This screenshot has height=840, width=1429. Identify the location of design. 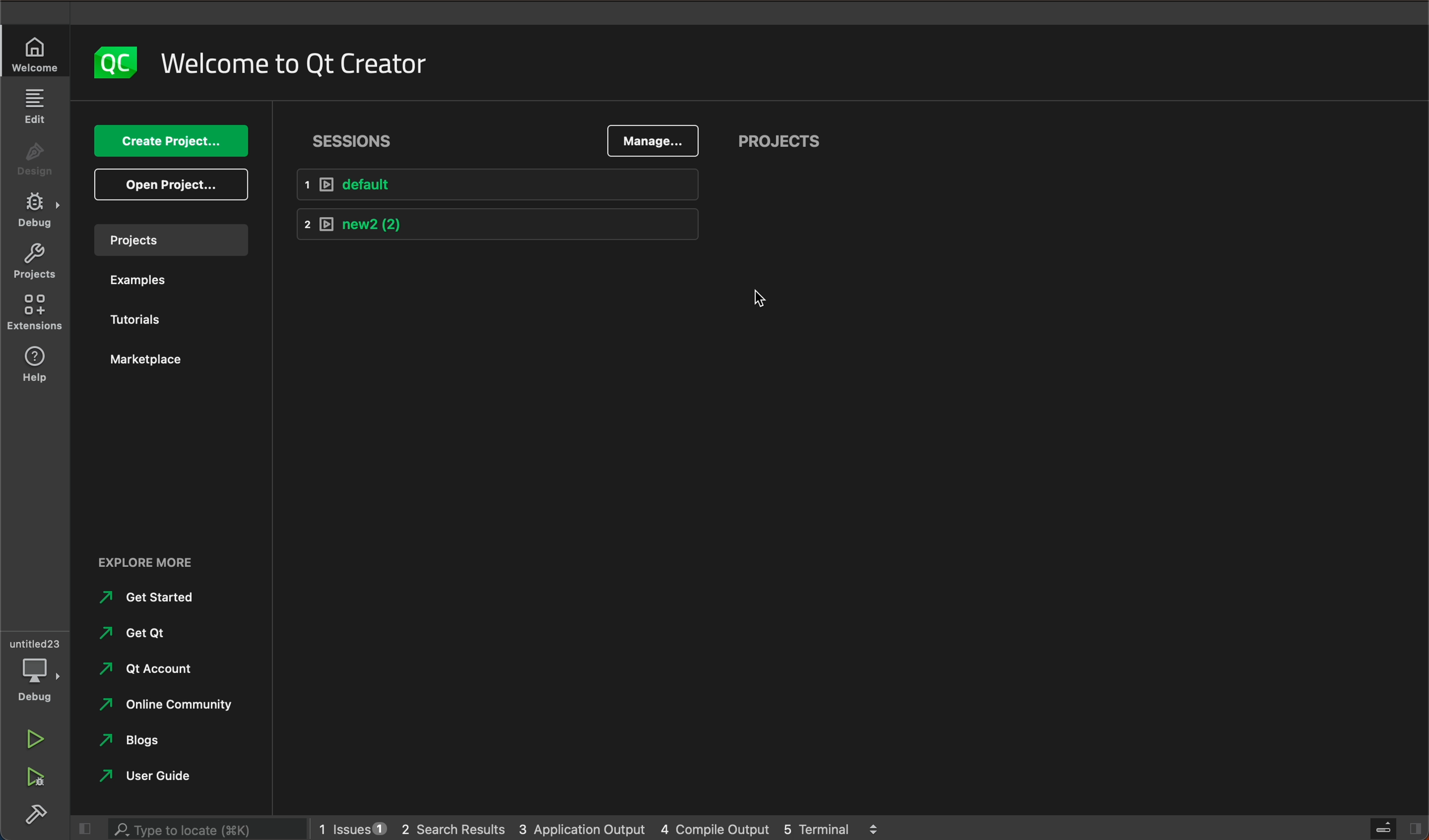
(35, 158).